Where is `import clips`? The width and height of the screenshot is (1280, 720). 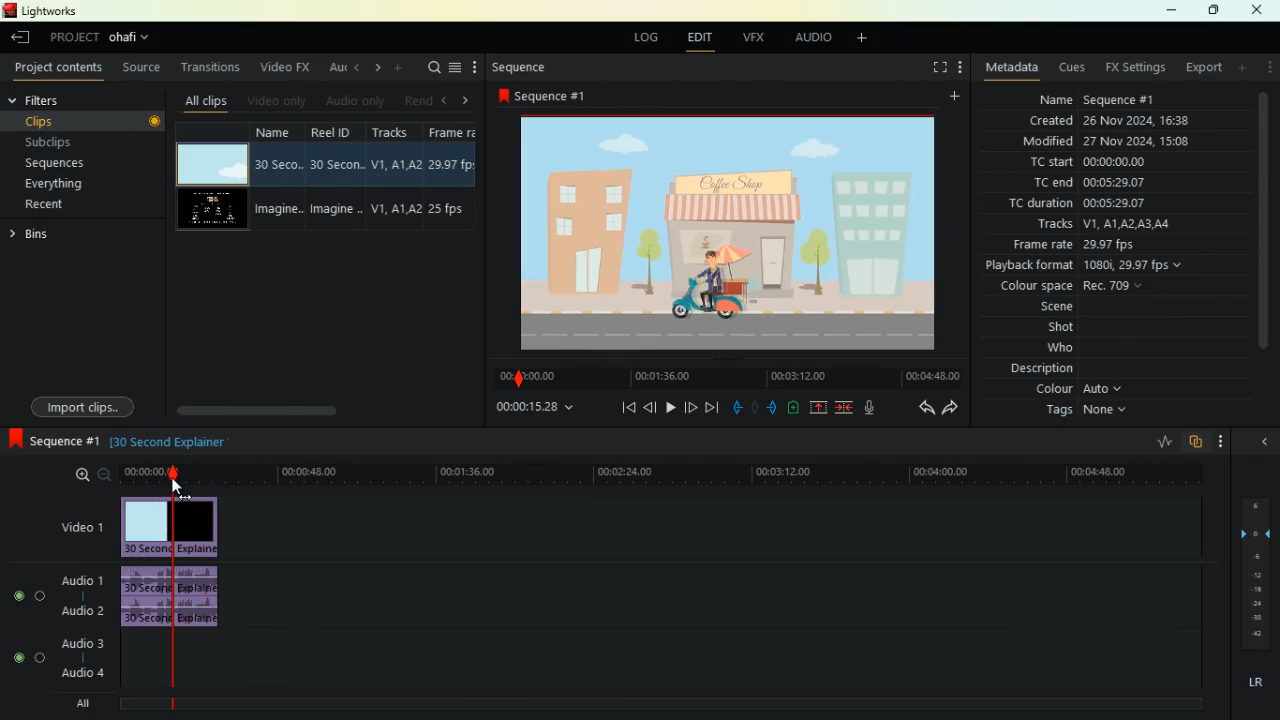
import clips is located at coordinates (78, 406).